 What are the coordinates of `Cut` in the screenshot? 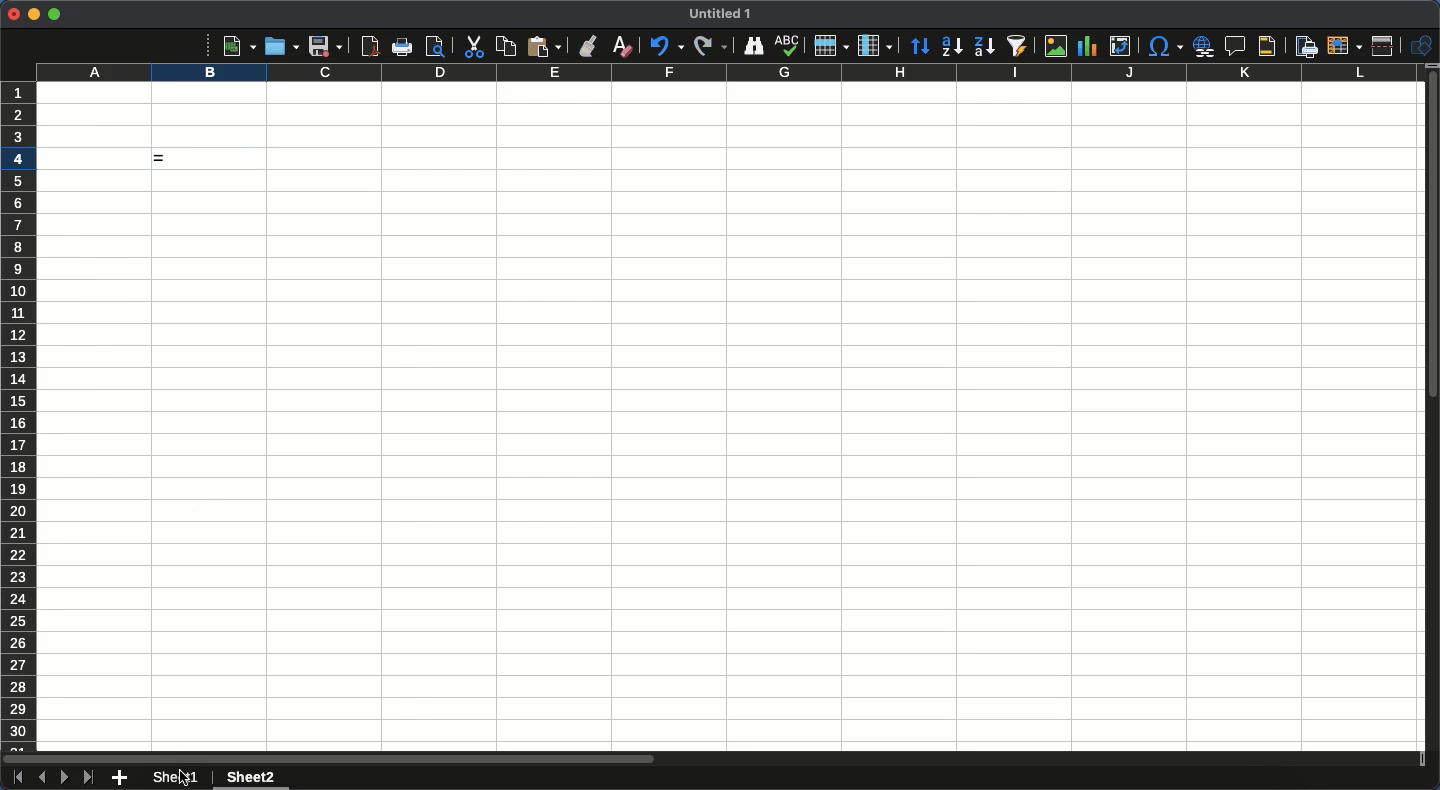 It's located at (472, 47).